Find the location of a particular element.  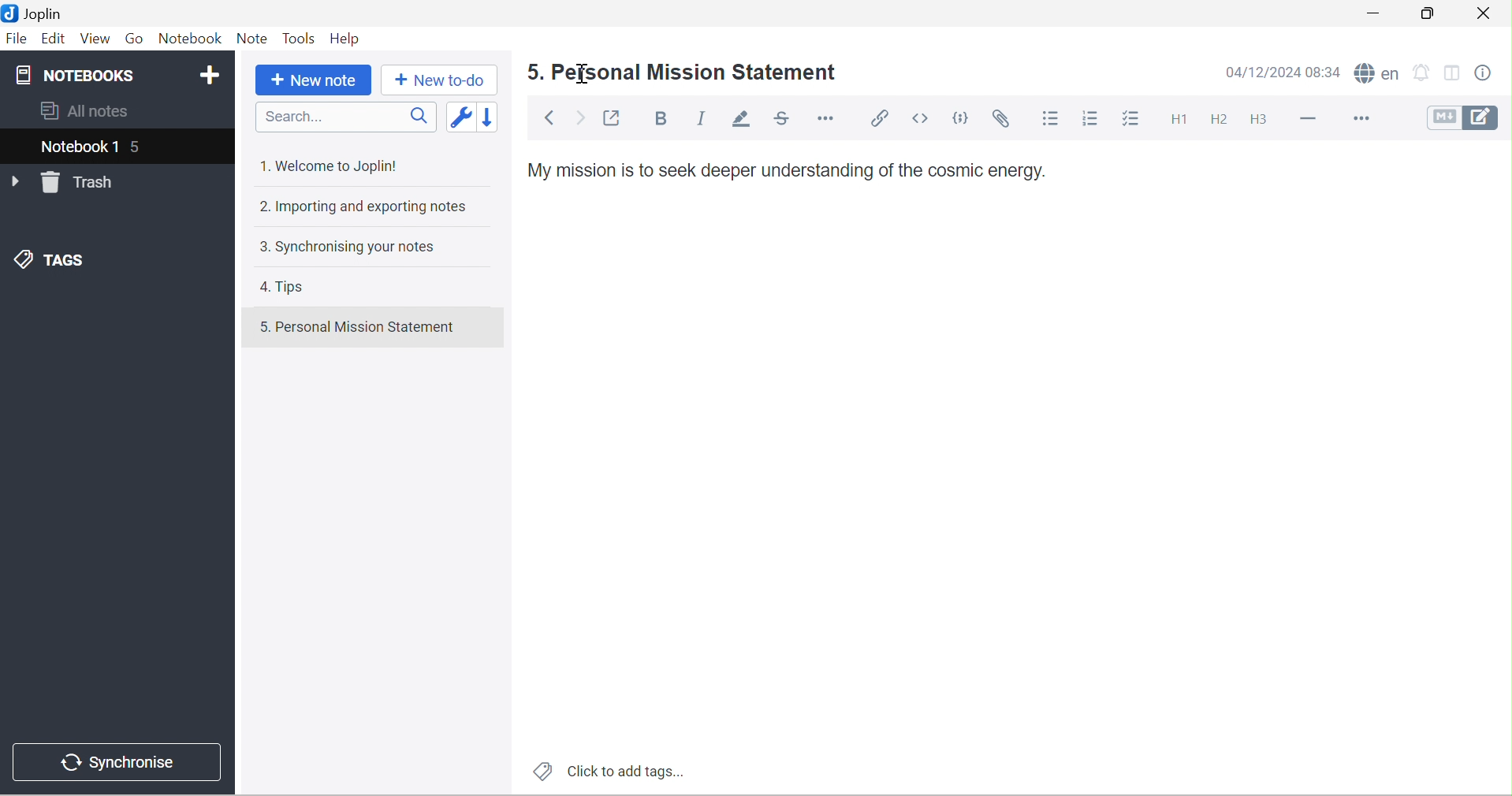

5. Personal Mission Statement is located at coordinates (685, 73).